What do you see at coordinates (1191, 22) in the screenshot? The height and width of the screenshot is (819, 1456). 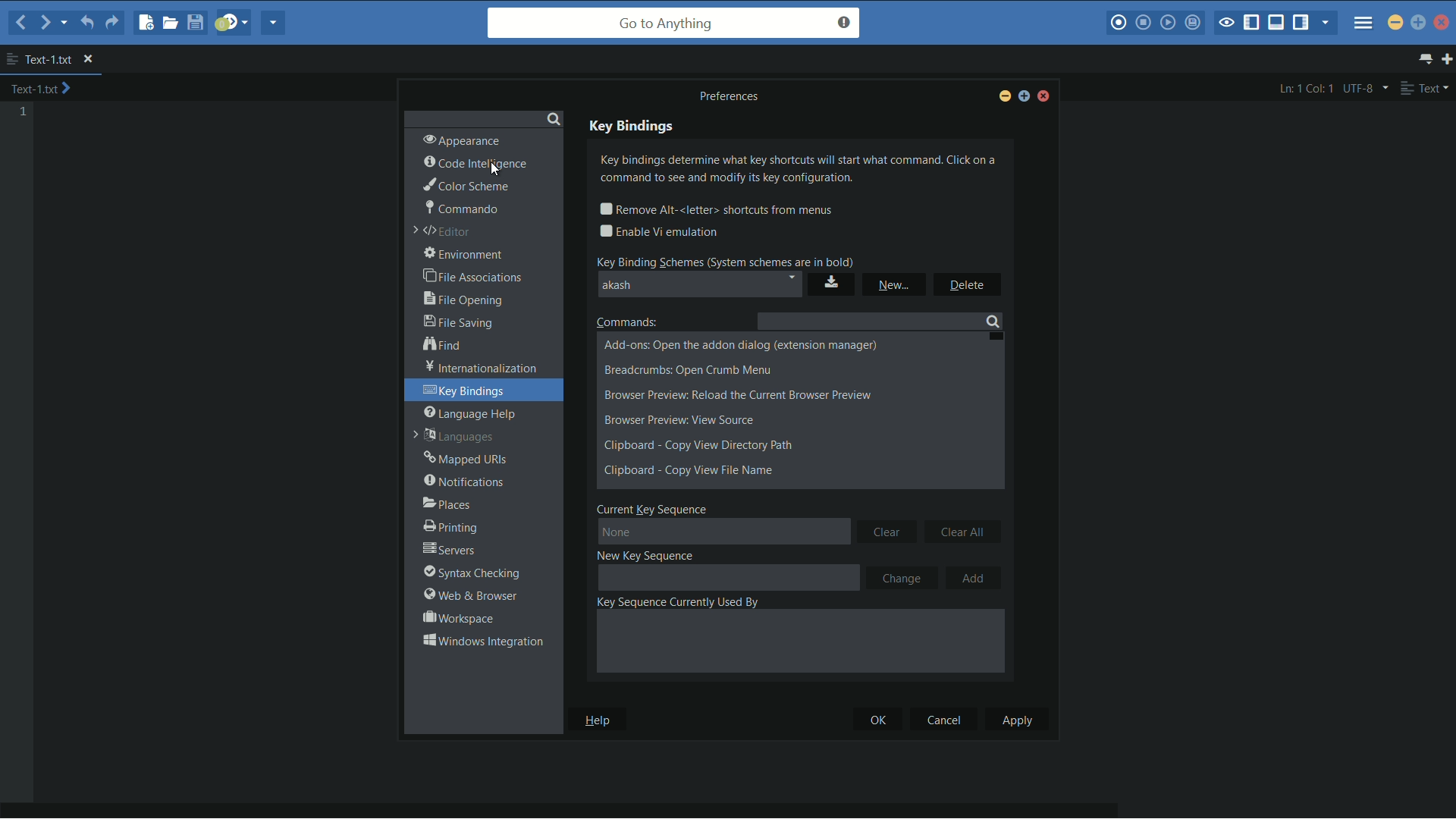 I see `save macro to toolbox` at bounding box center [1191, 22].